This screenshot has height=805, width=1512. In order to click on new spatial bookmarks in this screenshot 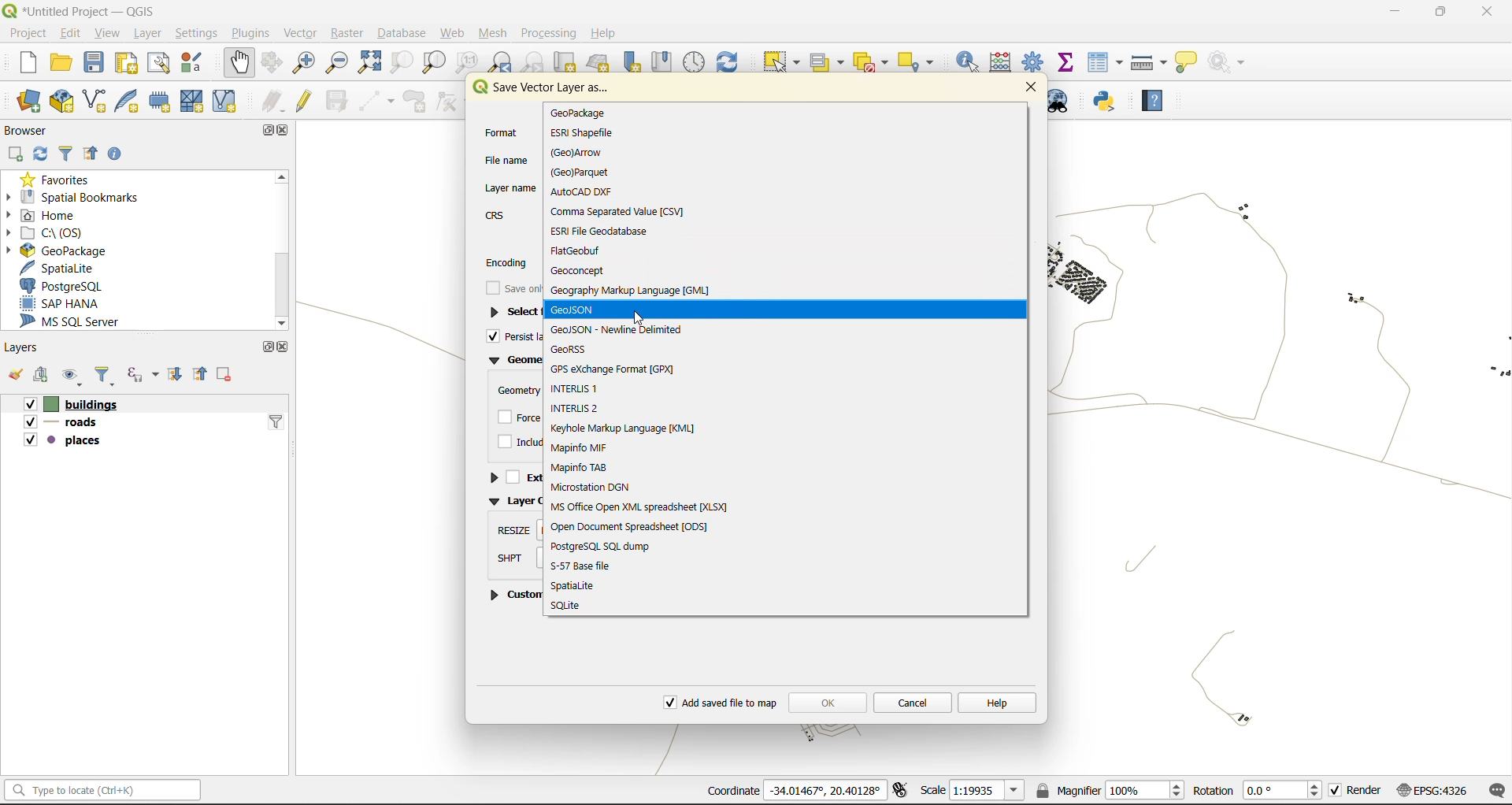, I will do `click(629, 63)`.